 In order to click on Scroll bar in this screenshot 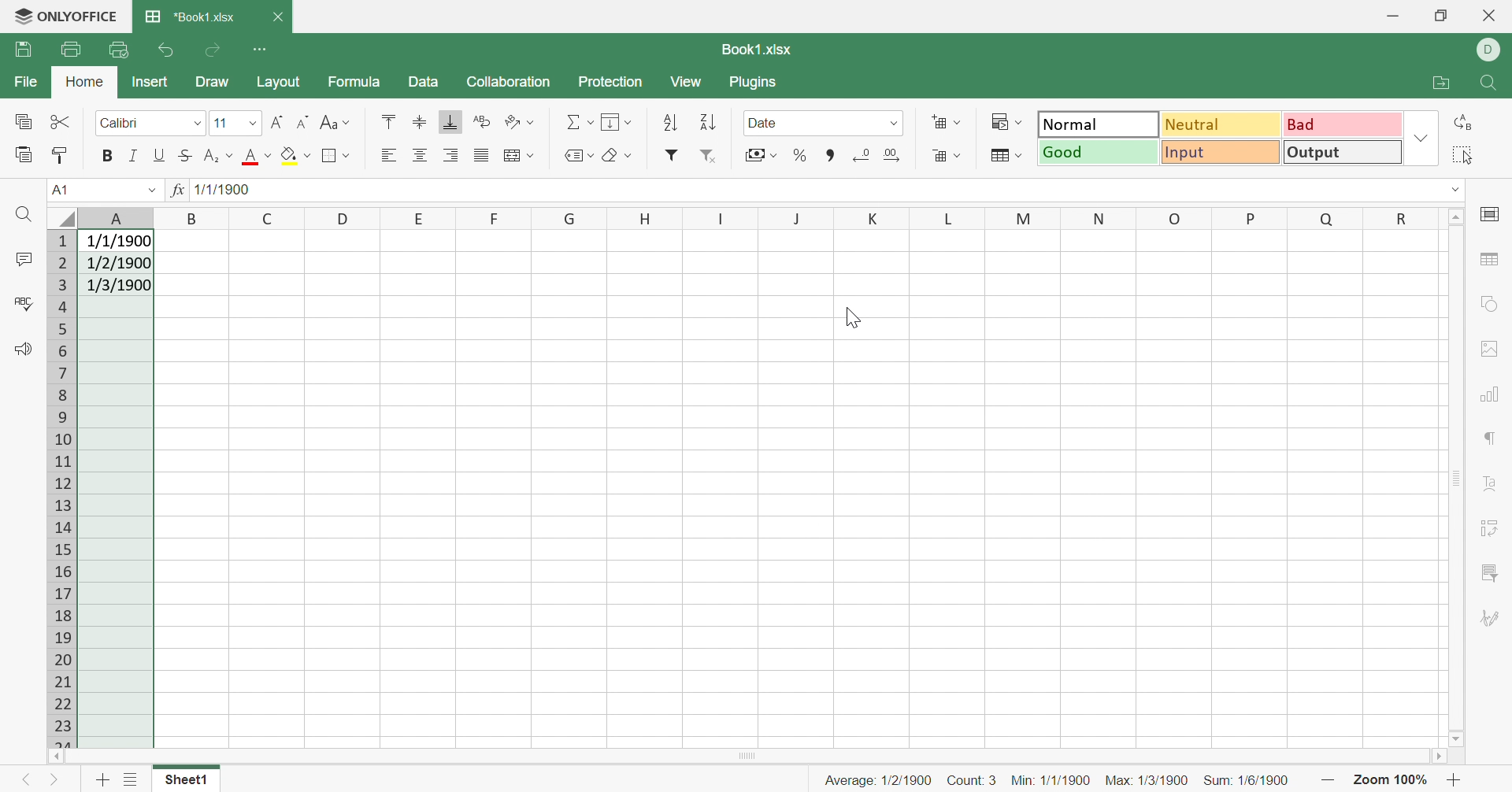, I will do `click(742, 757)`.